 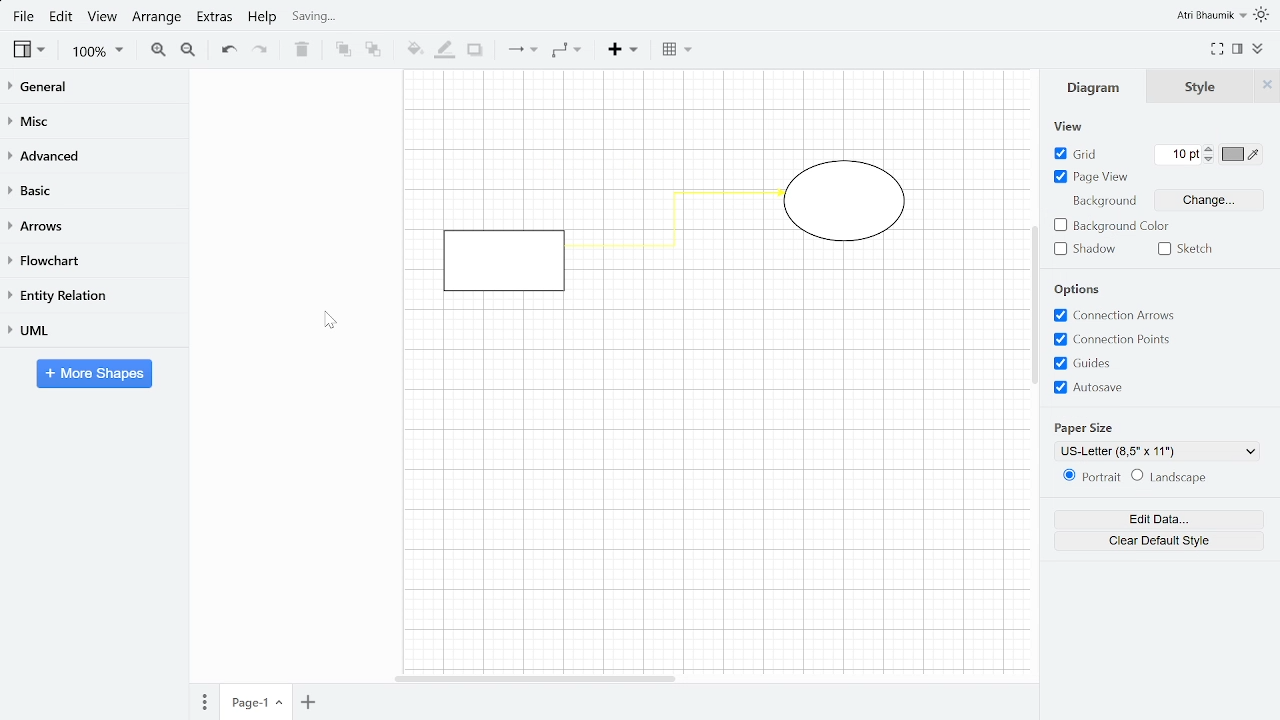 I want to click on Extras, so click(x=214, y=20).